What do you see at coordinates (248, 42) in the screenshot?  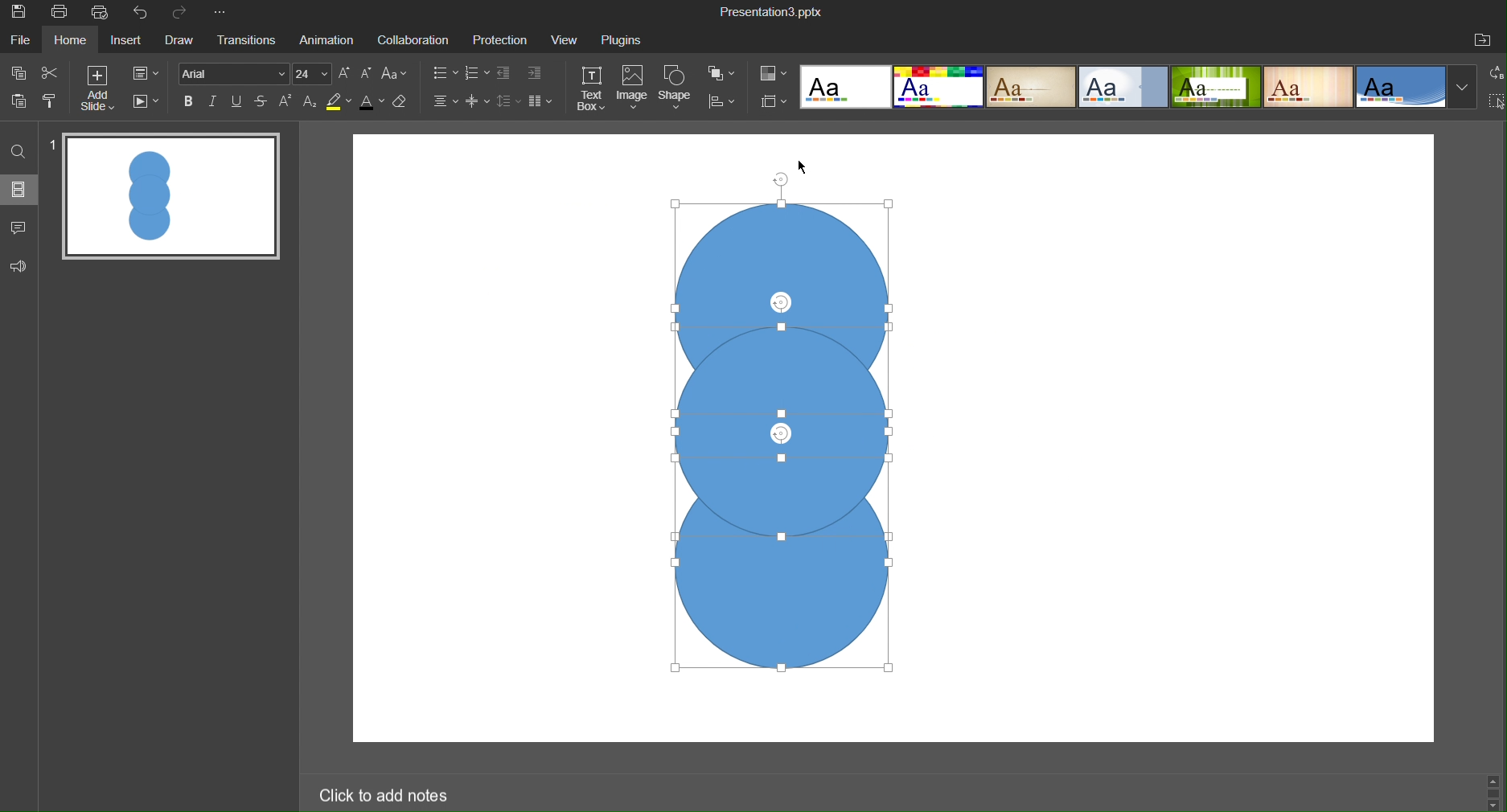 I see `Transitions` at bounding box center [248, 42].